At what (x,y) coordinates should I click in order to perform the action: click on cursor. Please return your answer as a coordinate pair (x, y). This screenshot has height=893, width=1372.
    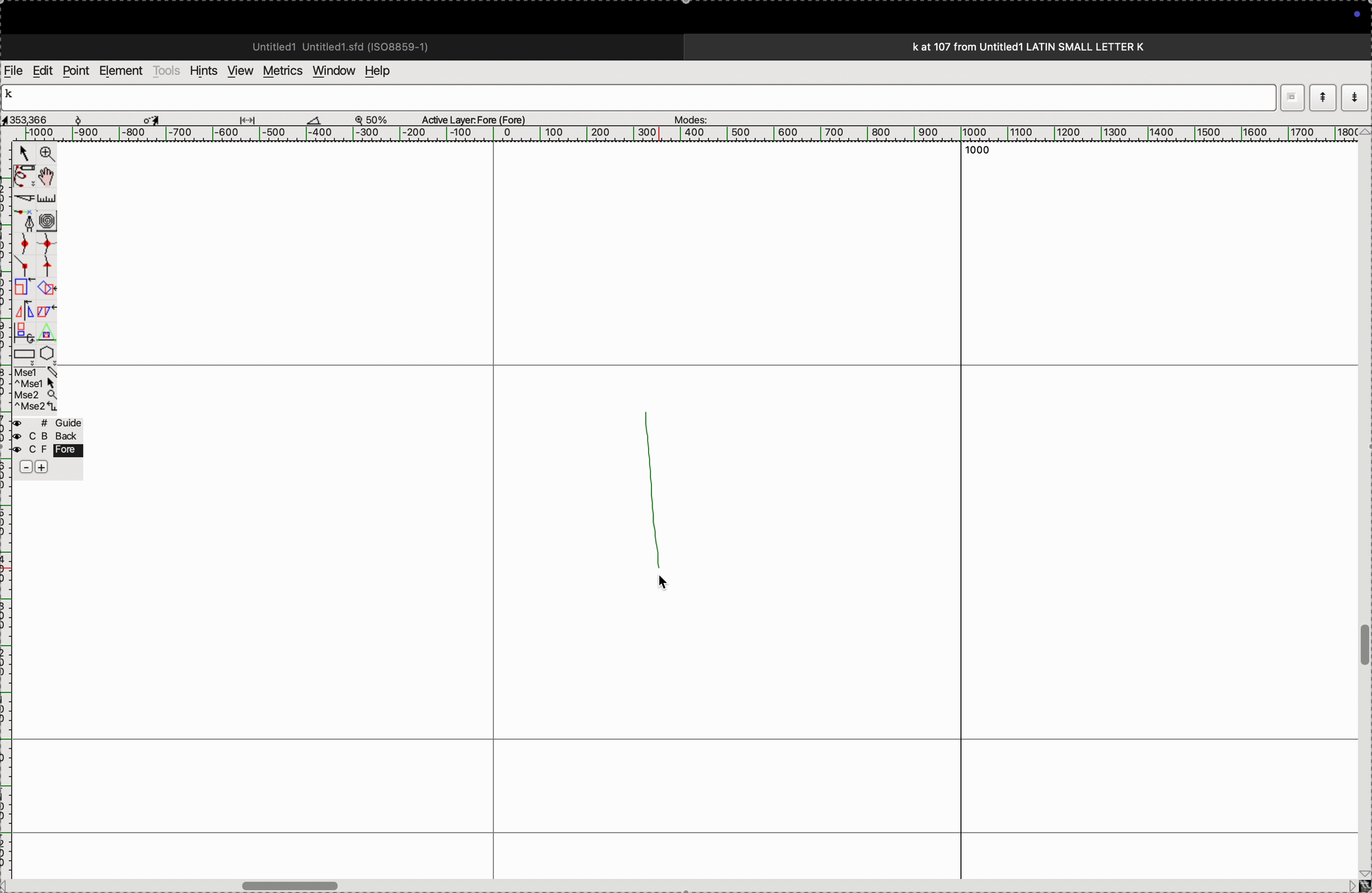
    Looking at the image, I should click on (154, 118).